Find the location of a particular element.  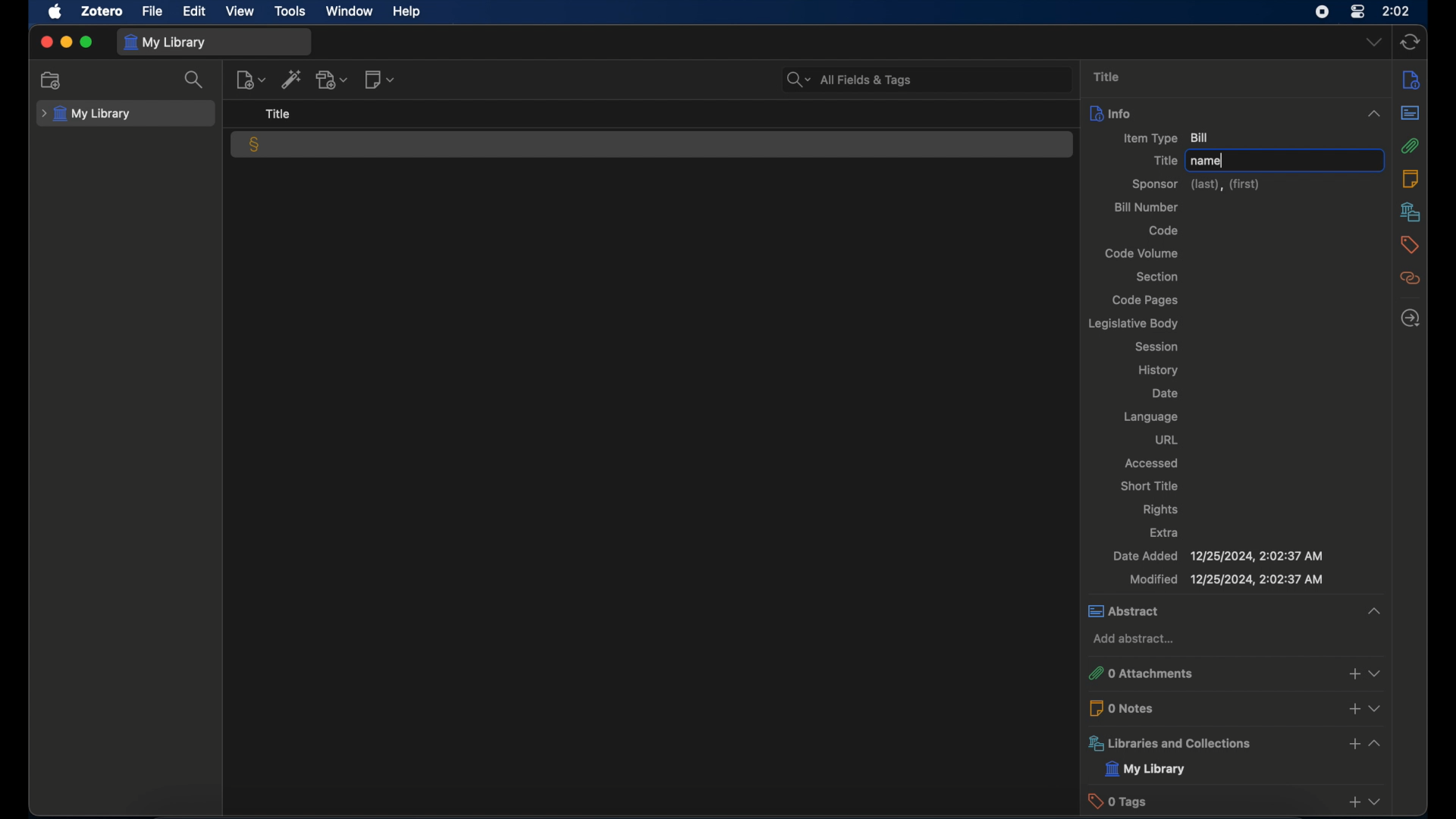

tools is located at coordinates (290, 10).